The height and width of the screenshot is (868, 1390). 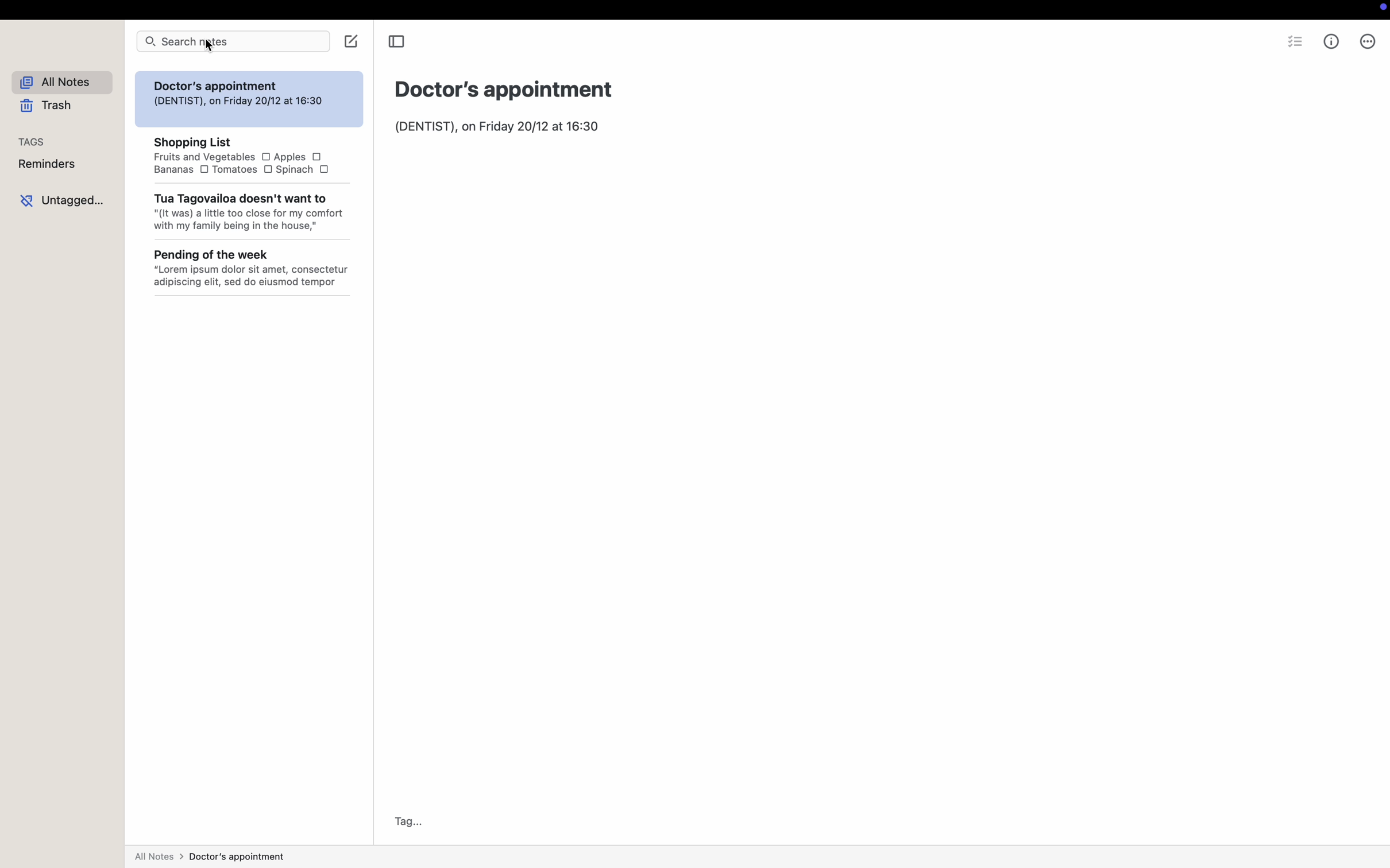 I want to click on Tua Tagovailoa doesn't want to
"(It was) a little too close for my comfort
with my family being in the house,", so click(x=249, y=214).